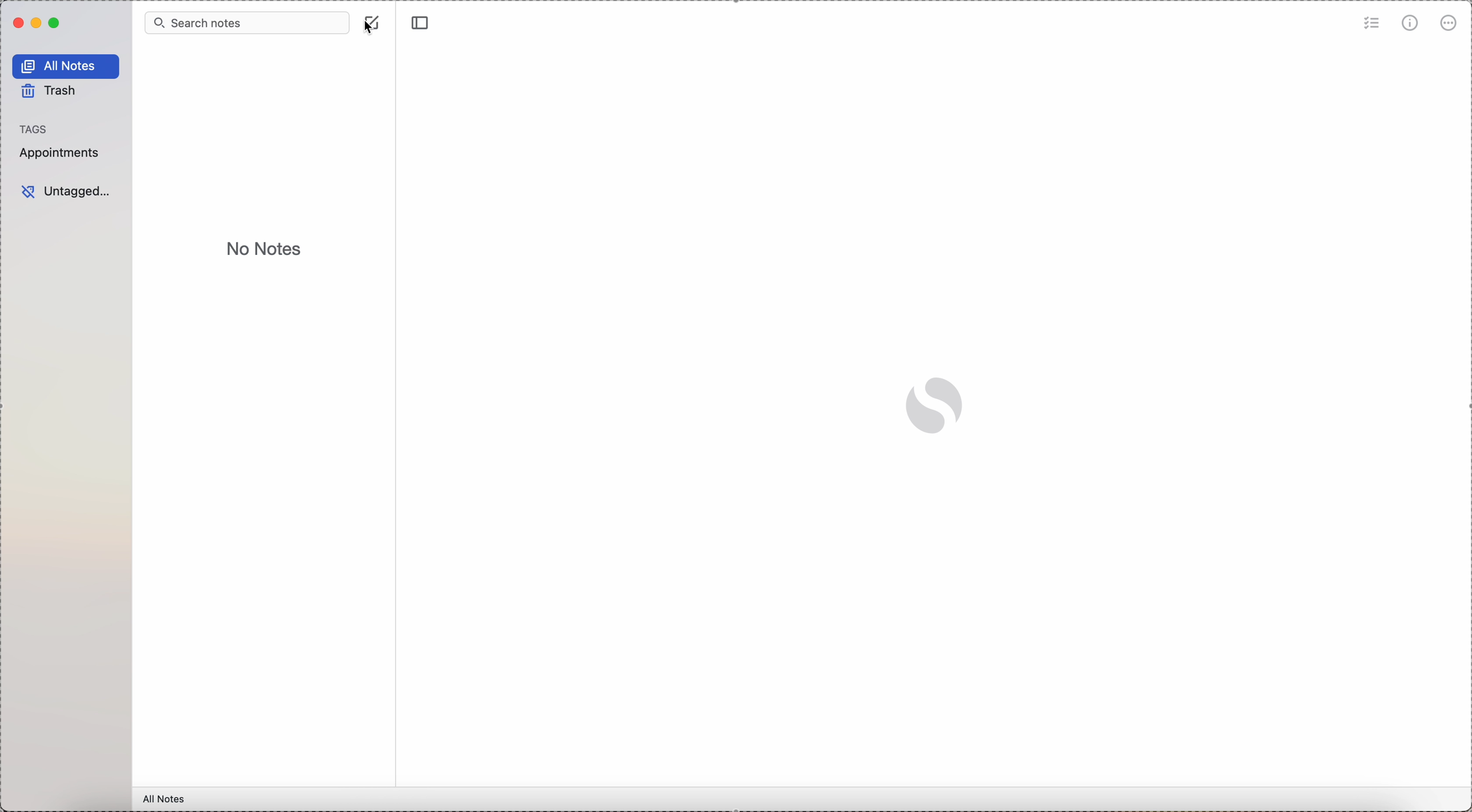  I want to click on maximize, so click(56, 23).